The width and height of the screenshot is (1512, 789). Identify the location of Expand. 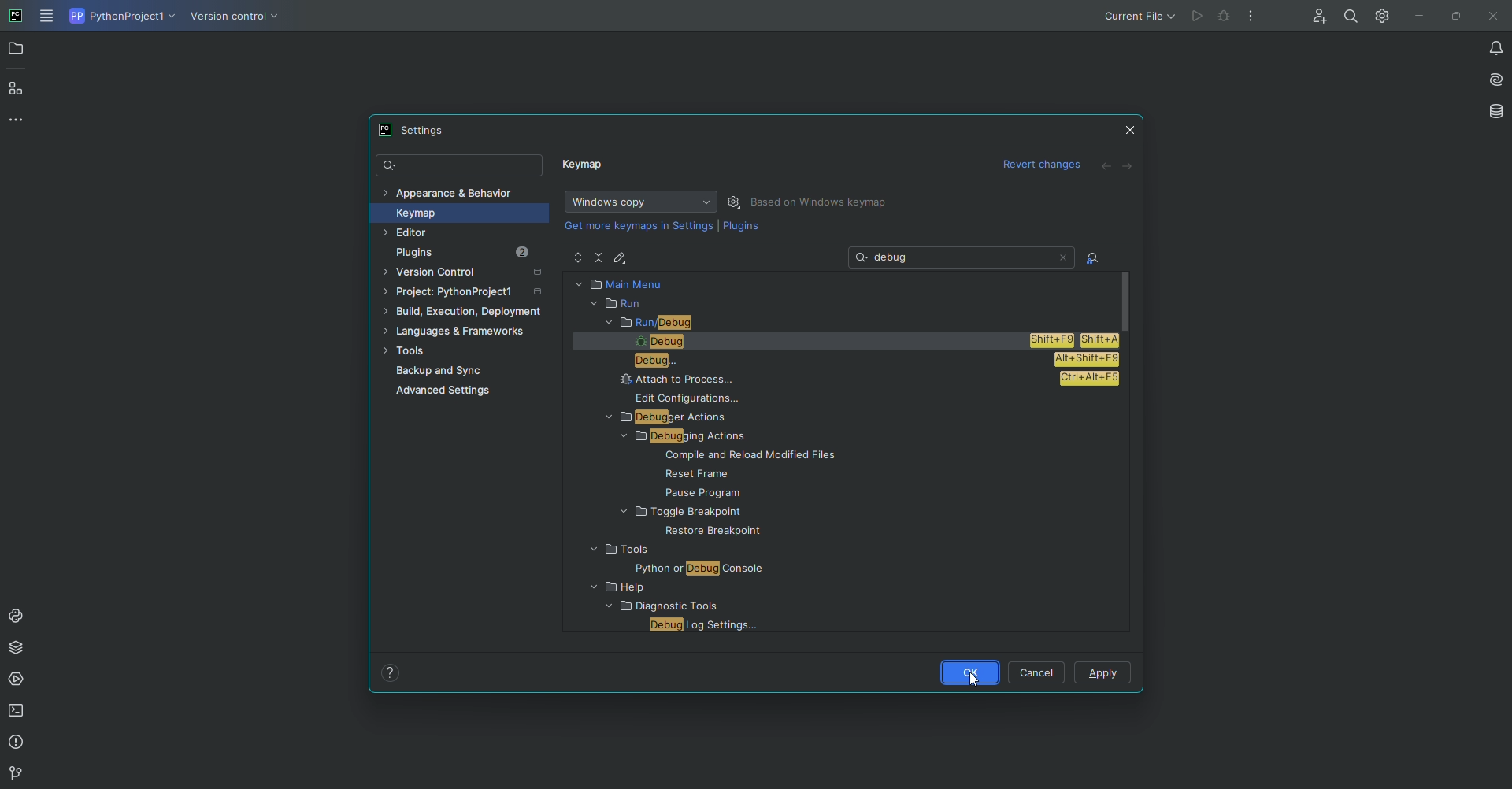
(578, 258).